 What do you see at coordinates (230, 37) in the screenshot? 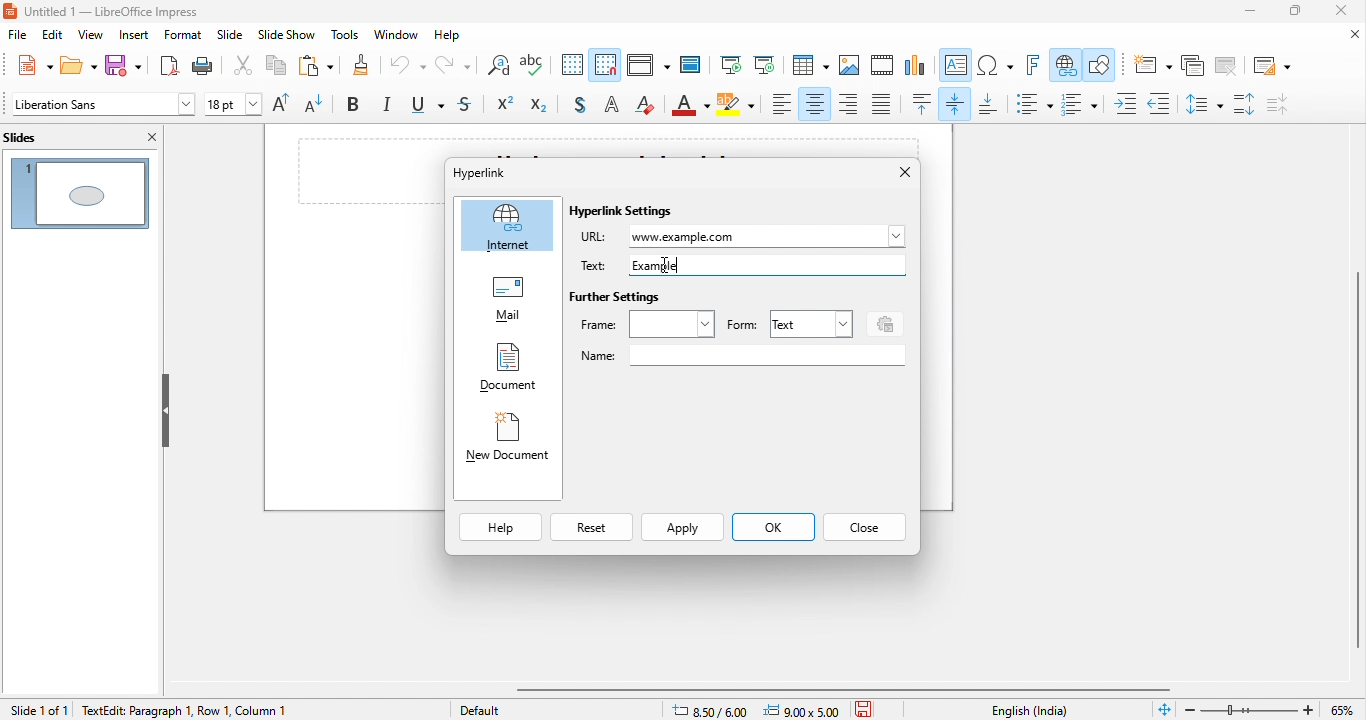
I see `slide` at bounding box center [230, 37].